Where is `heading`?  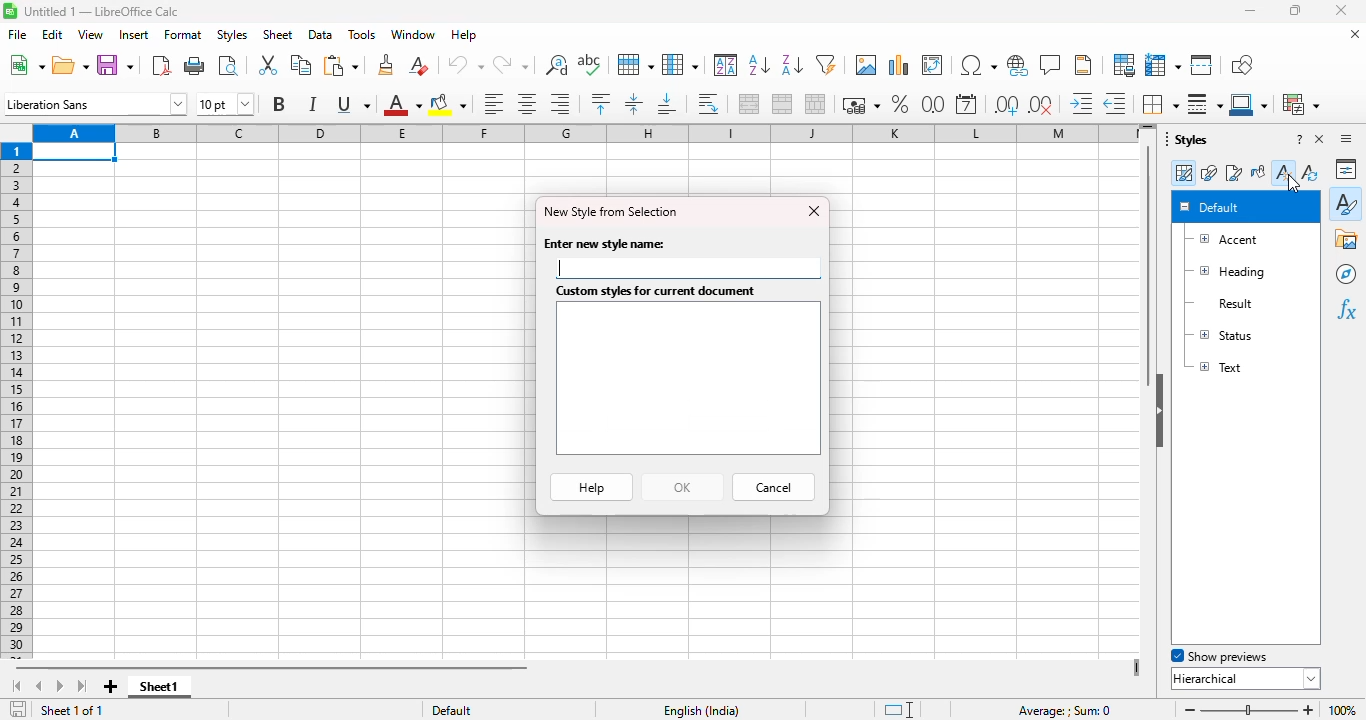
heading is located at coordinates (1227, 272).